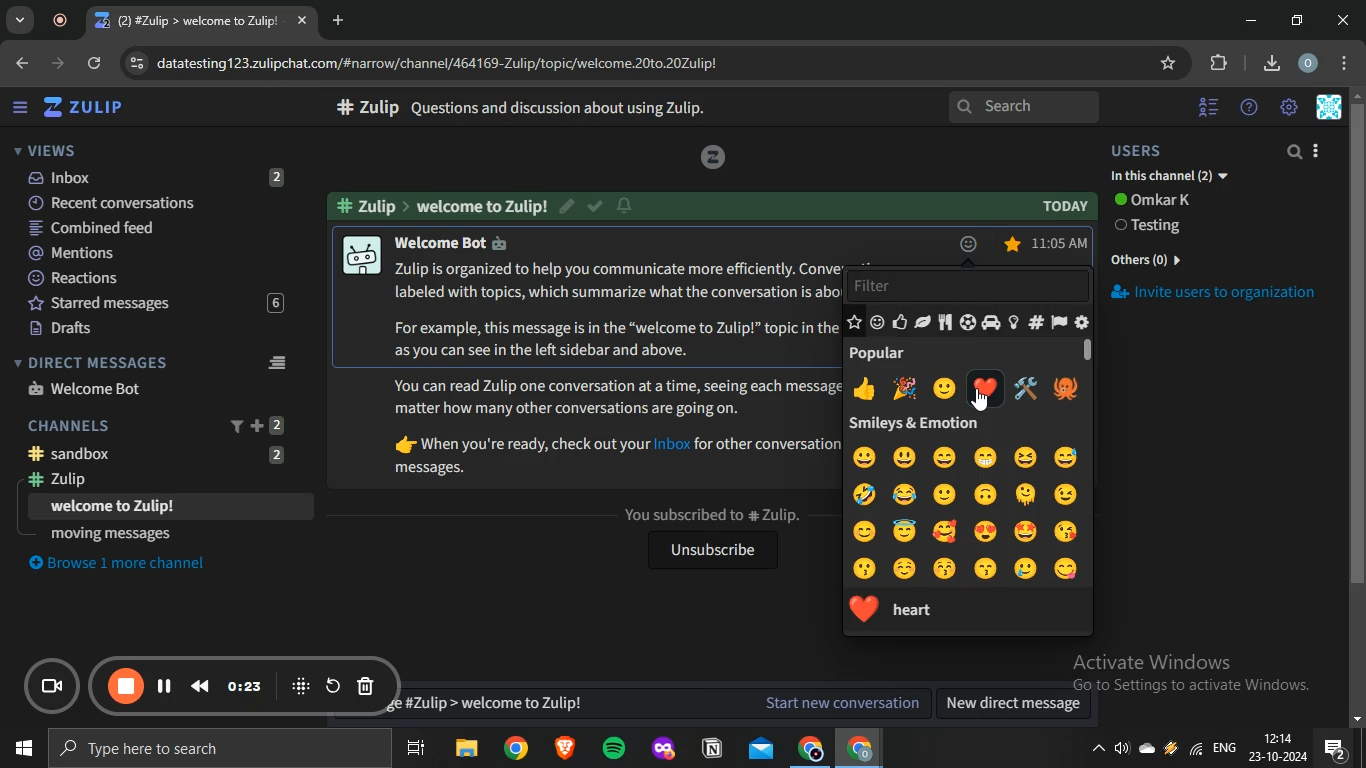 This screenshot has height=768, width=1366. What do you see at coordinates (215, 750) in the screenshot?
I see `type here to search` at bounding box center [215, 750].